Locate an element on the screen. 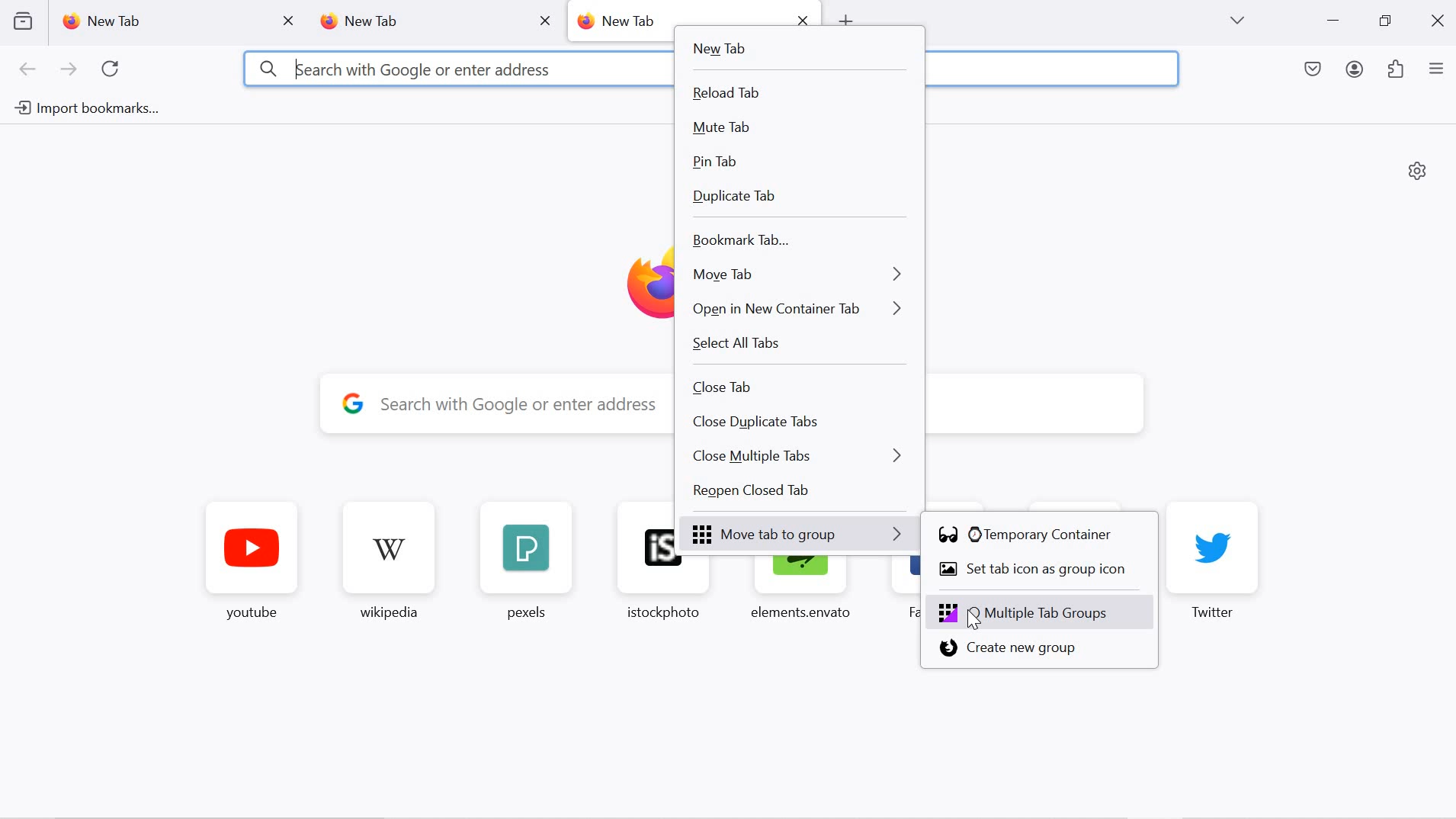  go back is located at coordinates (28, 70).